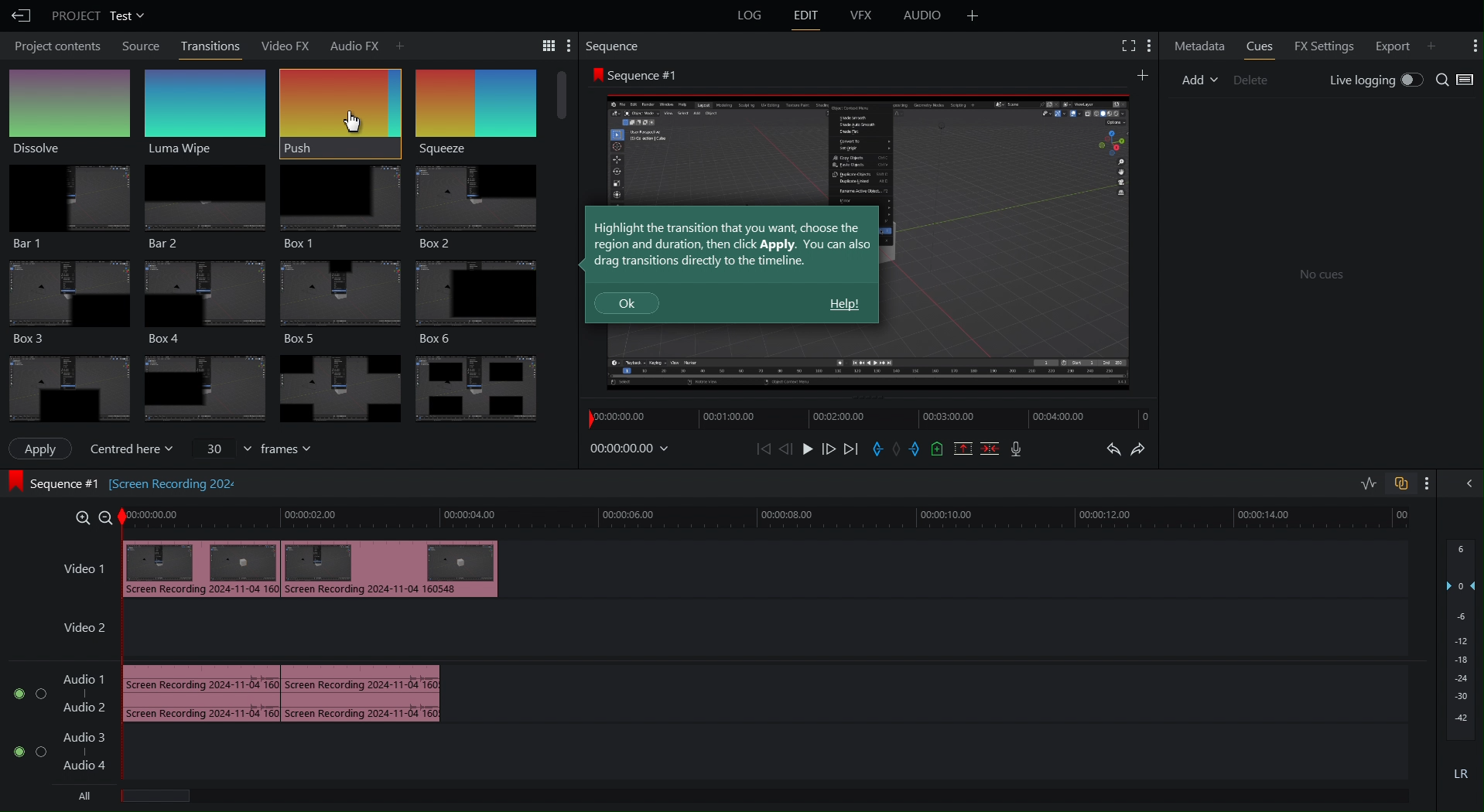  What do you see at coordinates (343, 302) in the screenshot?
I see `Box 3` at bounding box center [343, 302].